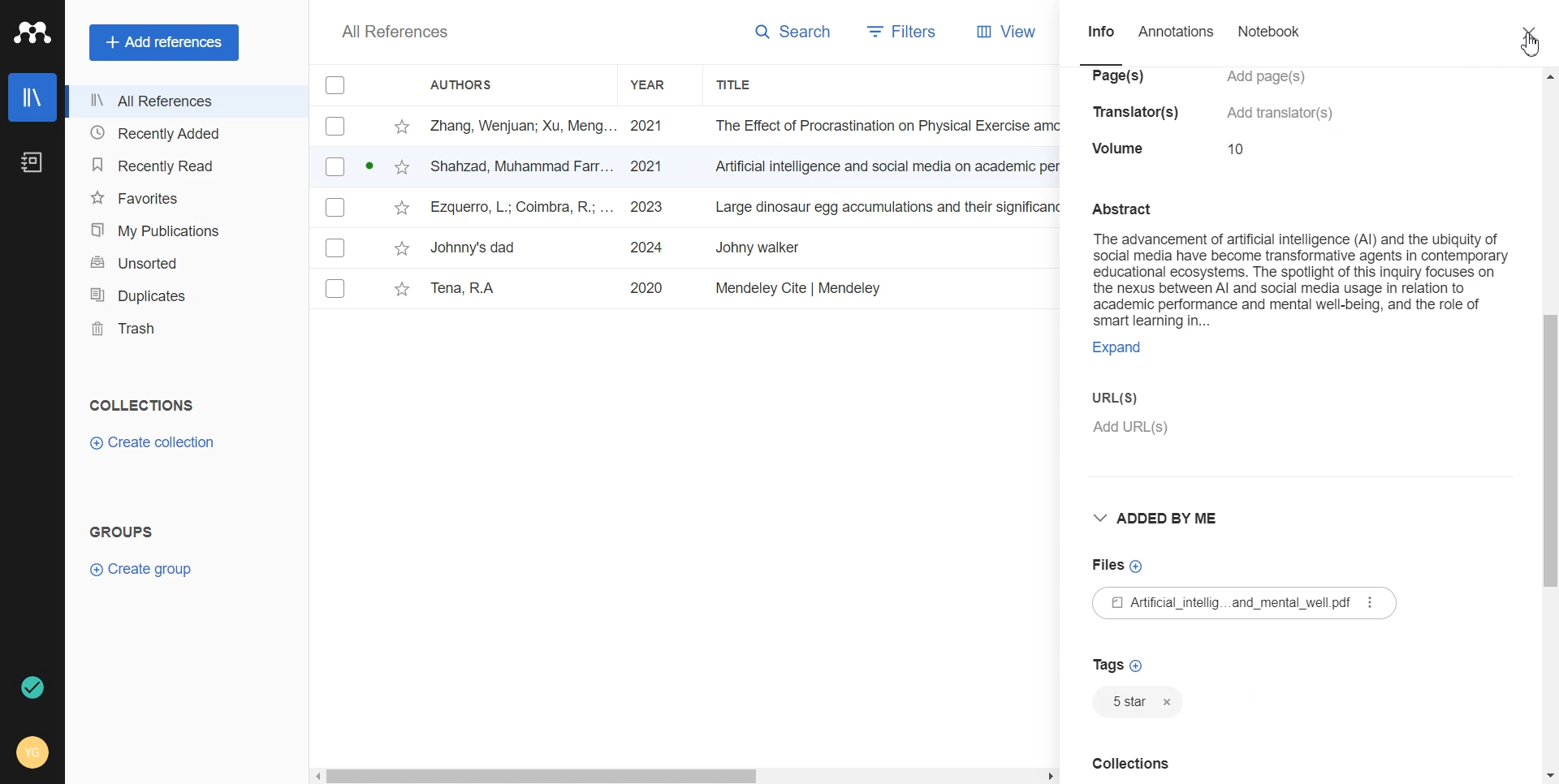 This screenshot has height=784, width=1559. I want to click on Tags, so click(1121, 663).